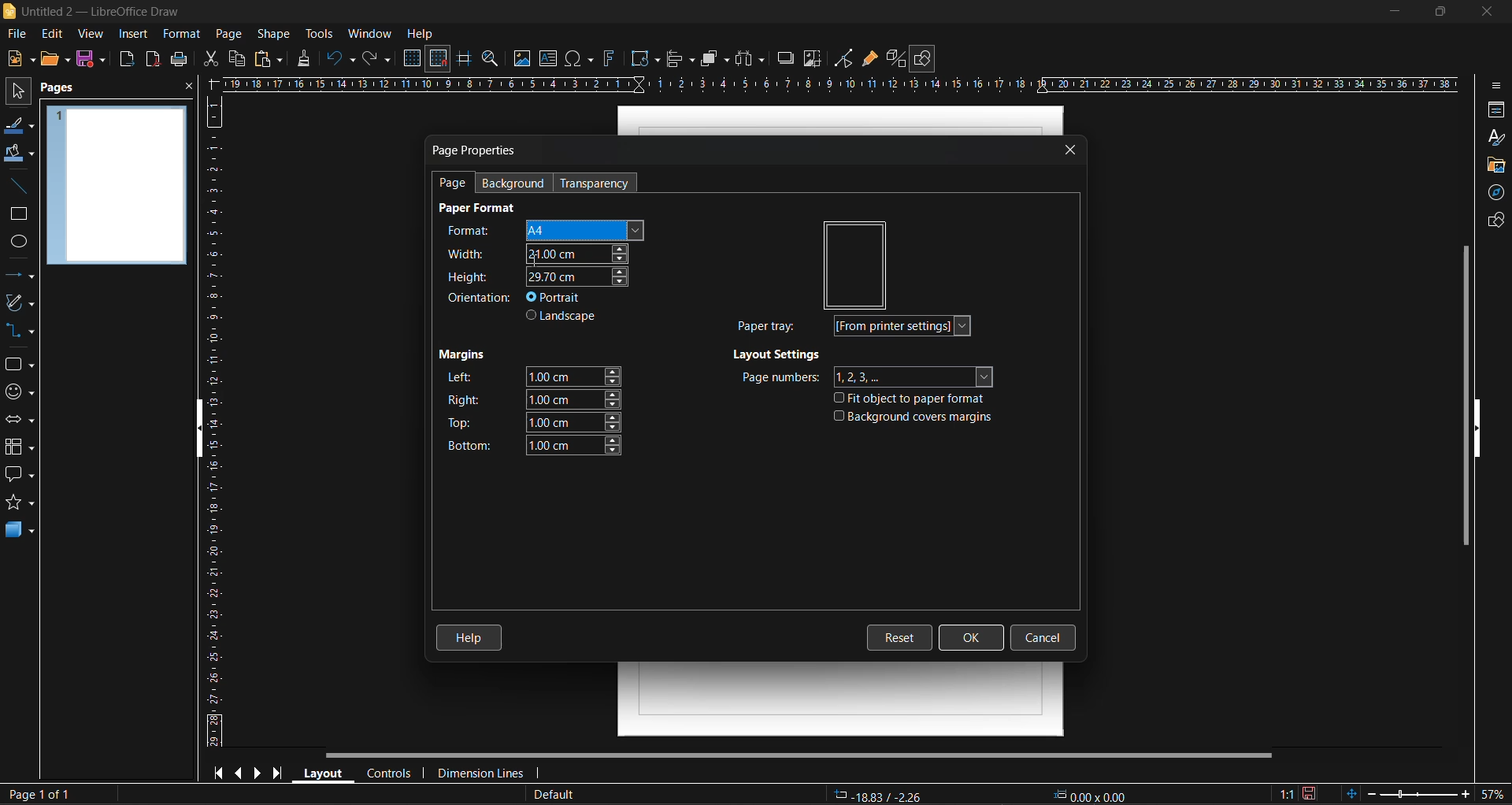 The width and height of the screenshot is (1512, 805). I want to click on vertical scroll bar, so click(1460, 395).